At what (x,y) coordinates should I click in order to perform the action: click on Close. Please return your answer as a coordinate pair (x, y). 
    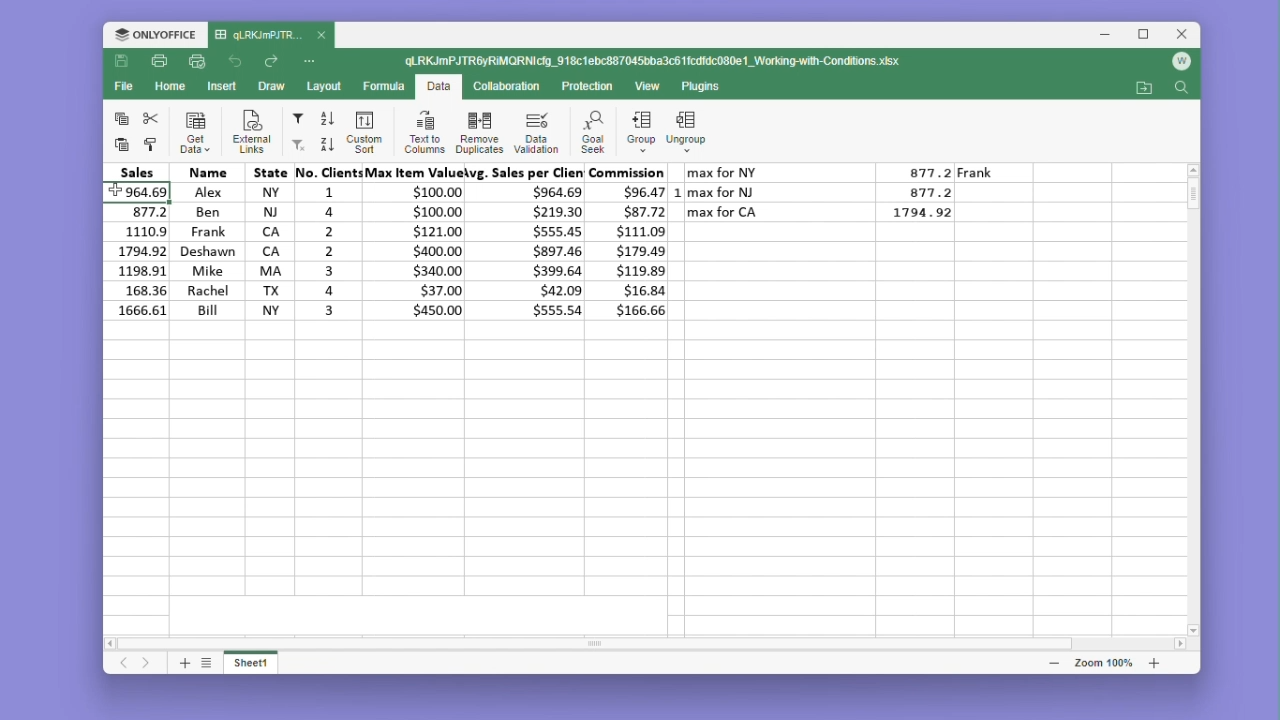
    Looking at the image, I should click on (1184, 35).